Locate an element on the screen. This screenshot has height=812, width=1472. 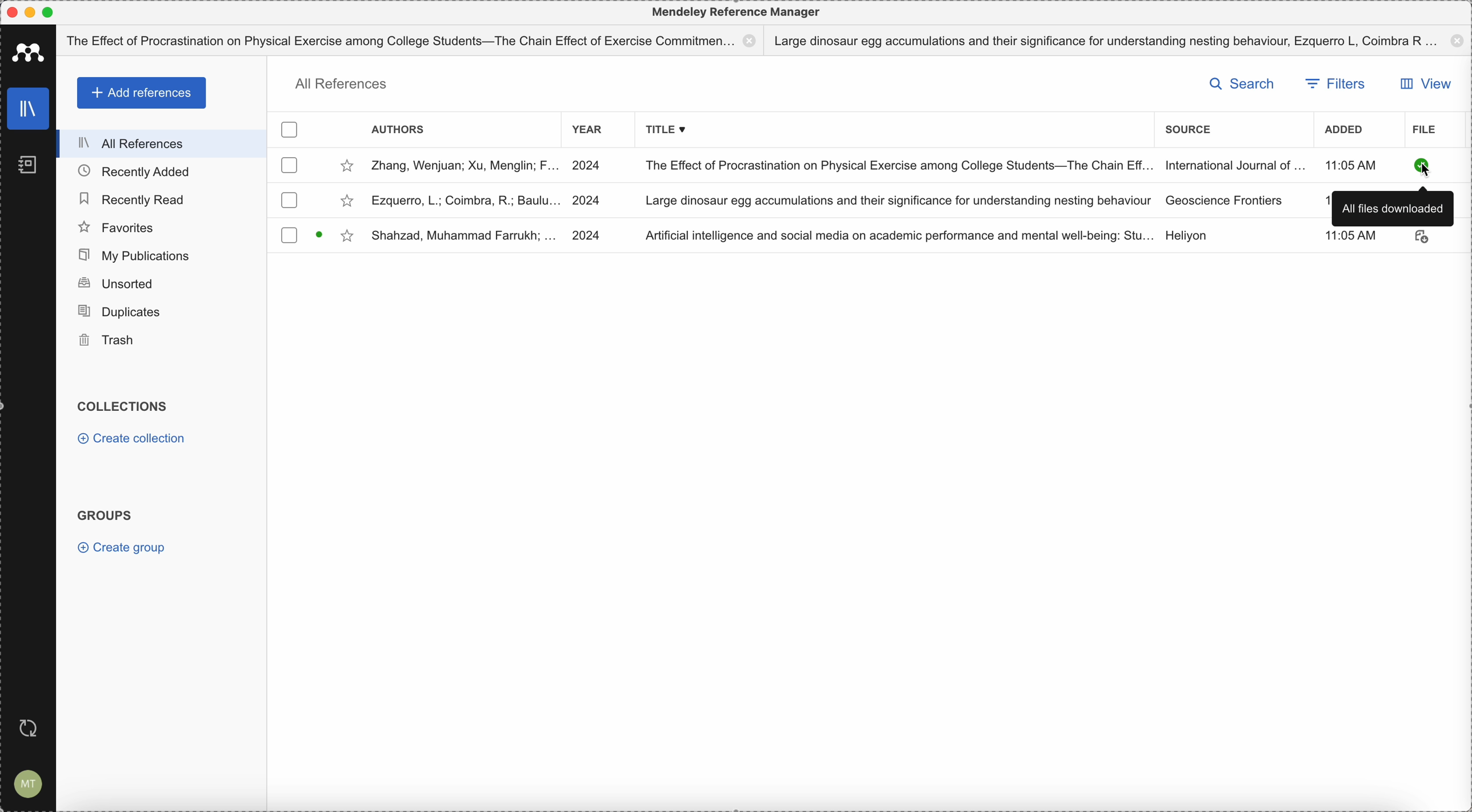
last sync is located at coordinates (33, 727).